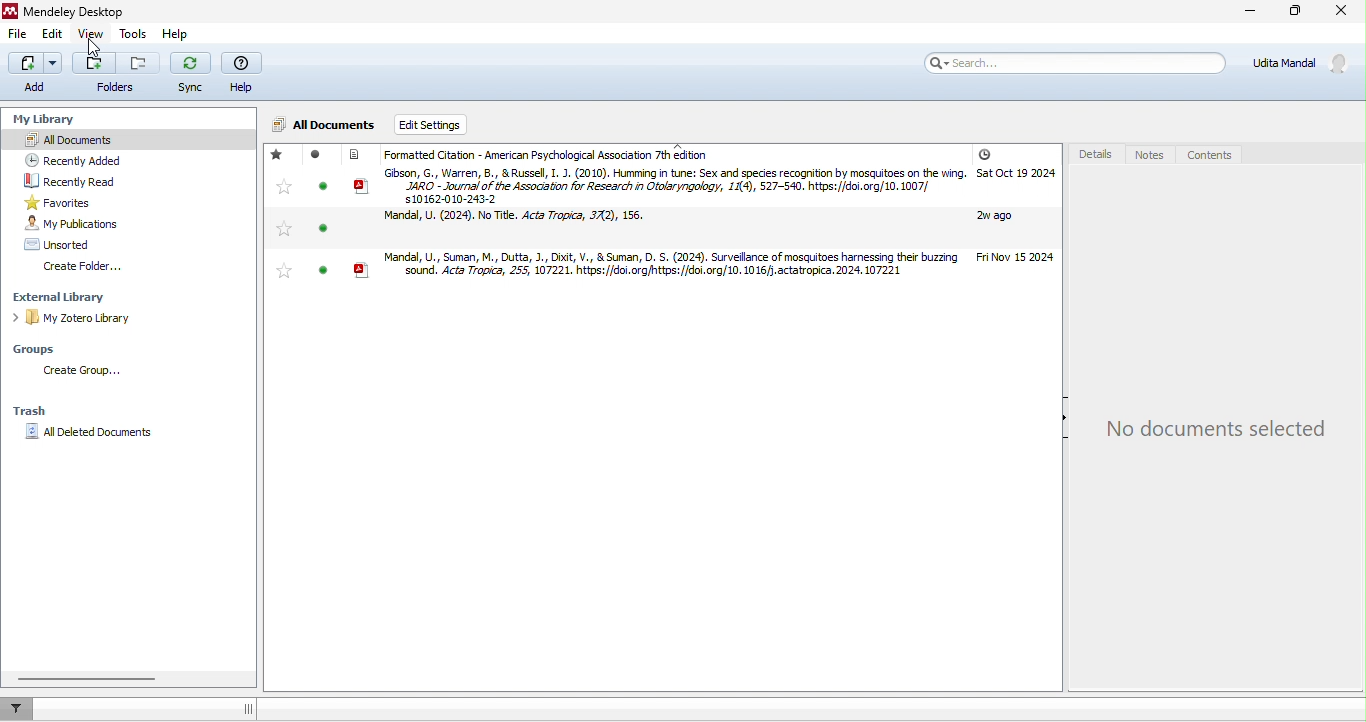 The image size is (1366, 722). I want to click on contents, so click(1215, 153).